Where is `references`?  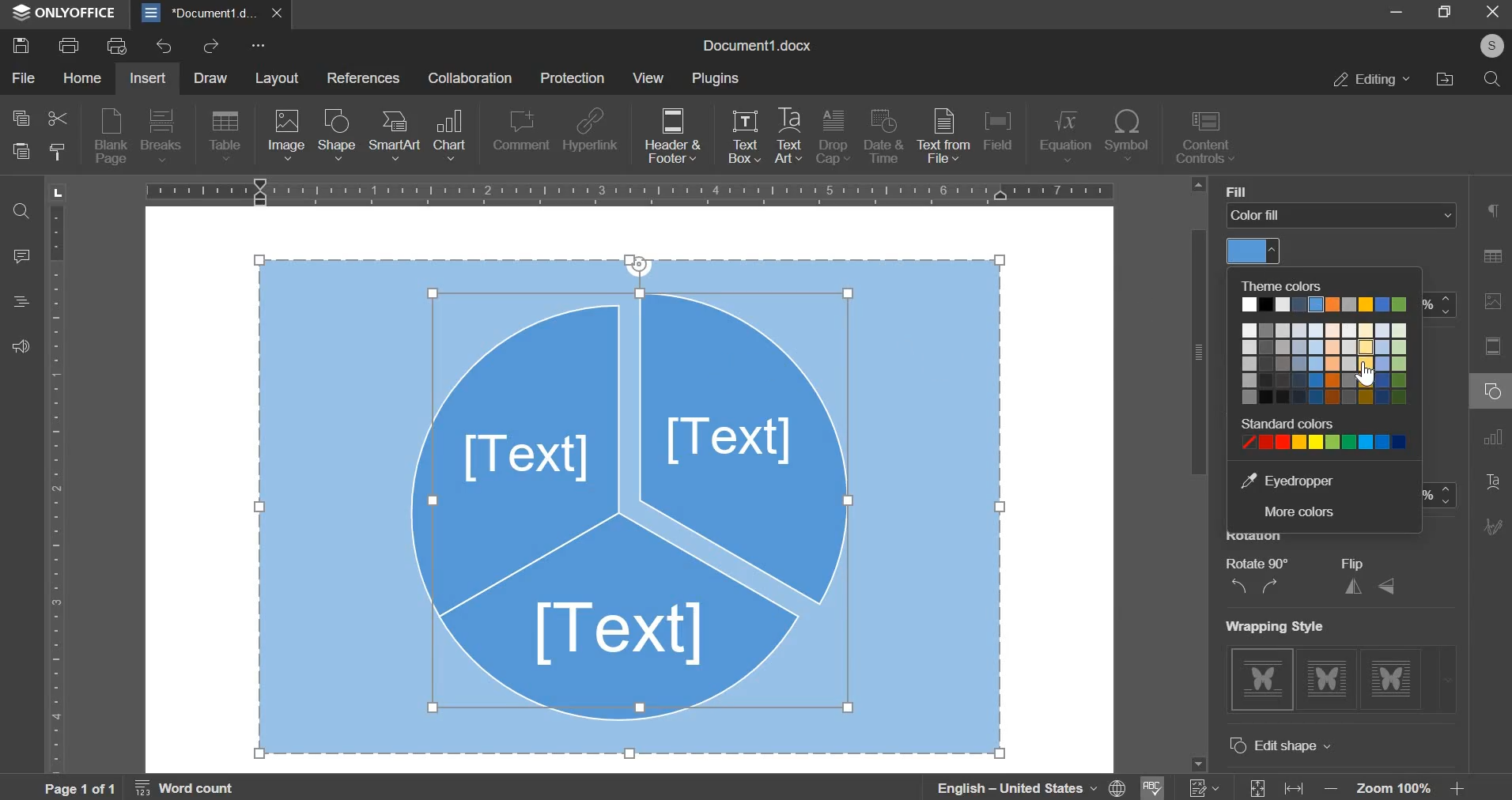
references is located at coordinates (367, 80).